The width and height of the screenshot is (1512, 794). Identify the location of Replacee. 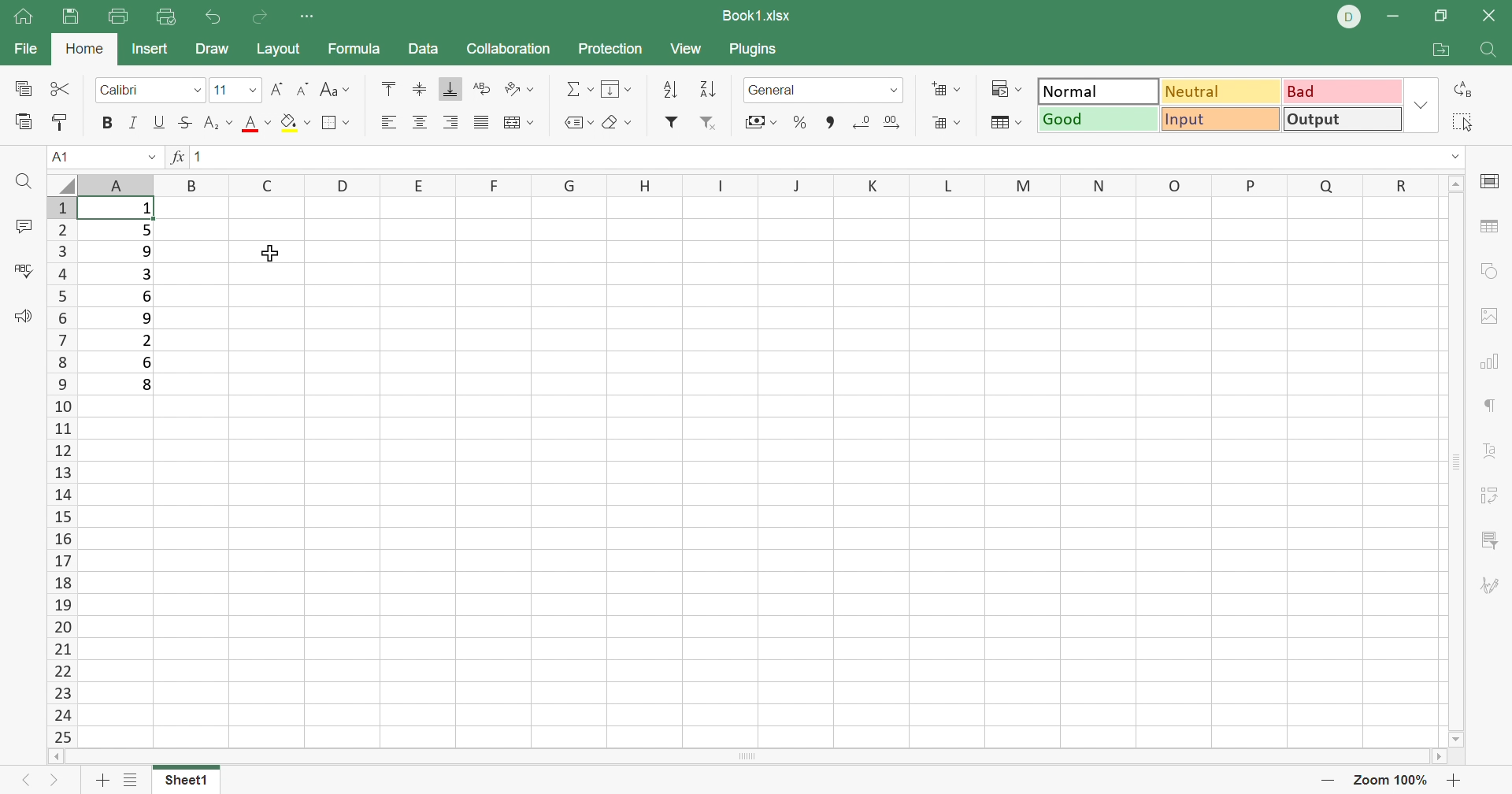
(1465, 89).